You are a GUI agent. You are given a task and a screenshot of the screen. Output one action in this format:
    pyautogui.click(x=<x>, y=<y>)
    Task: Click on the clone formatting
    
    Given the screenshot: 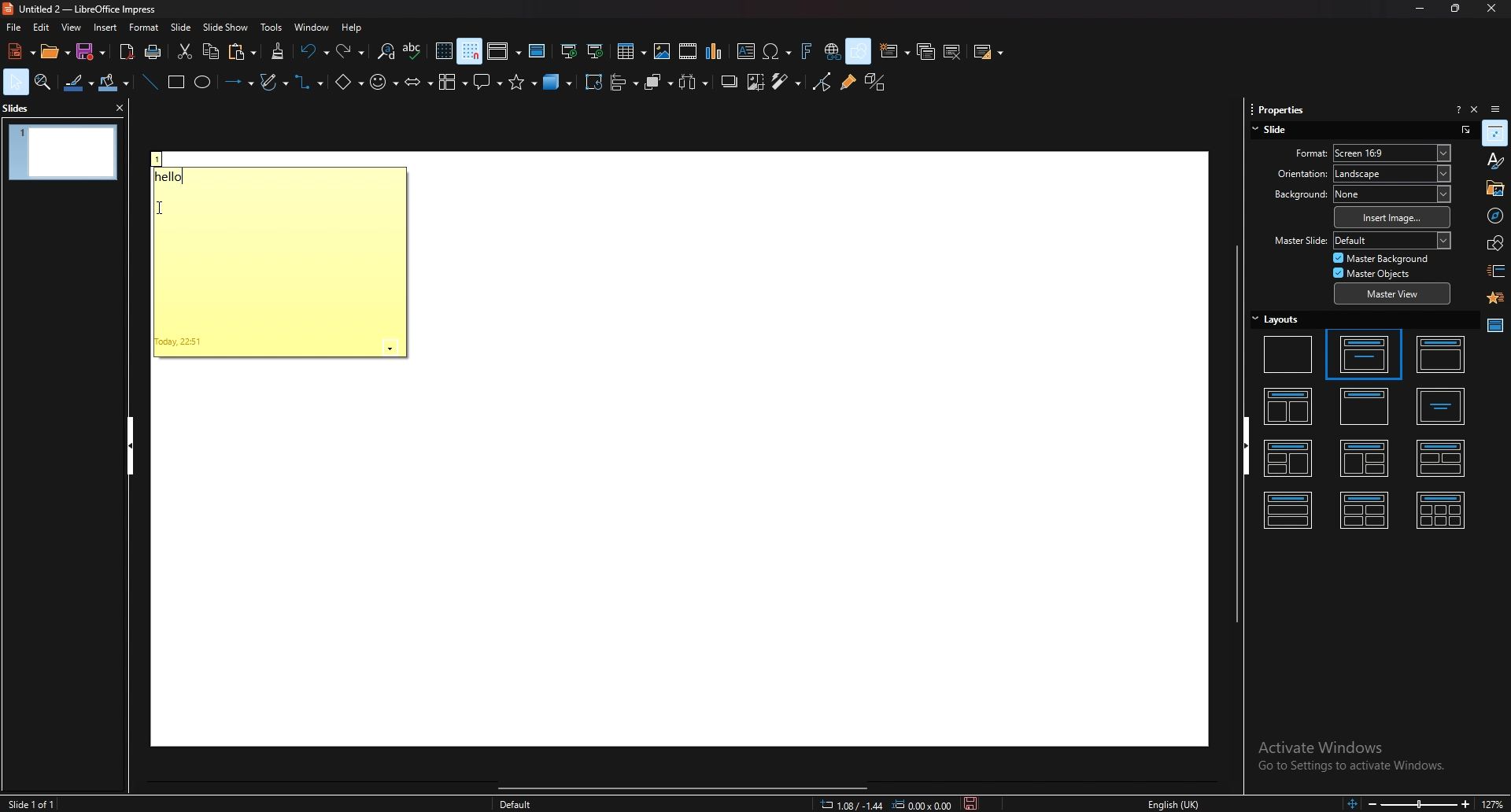 What is the action you would take?
    pyautogui.click(x=278, y=51)
    